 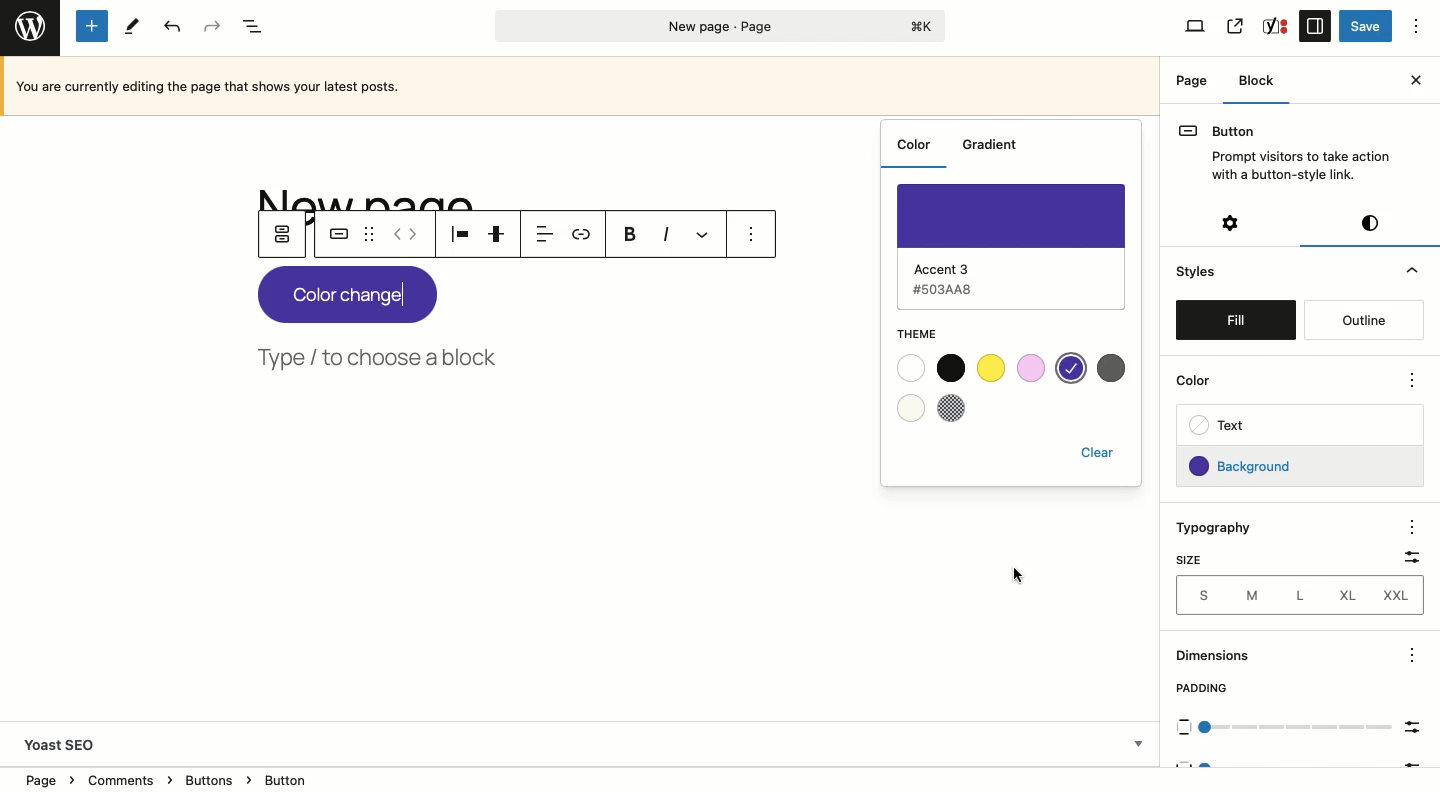 I want to click on More, so click(x=701, y=234).